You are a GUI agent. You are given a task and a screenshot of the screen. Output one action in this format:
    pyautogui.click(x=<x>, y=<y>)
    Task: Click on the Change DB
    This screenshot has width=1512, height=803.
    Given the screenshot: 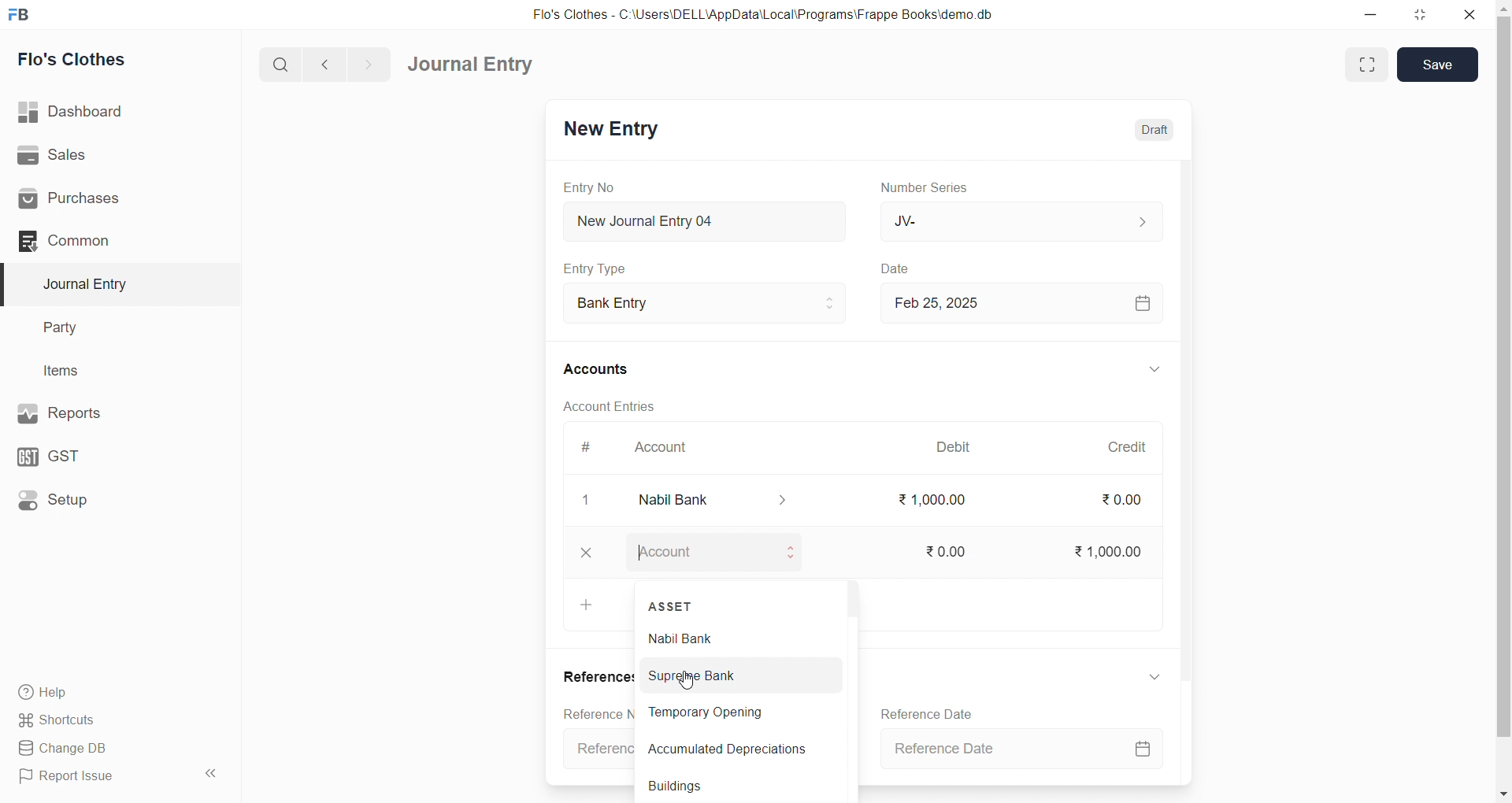 What is the action you would take?
    pyautogui.click(x=113, y=749)
    